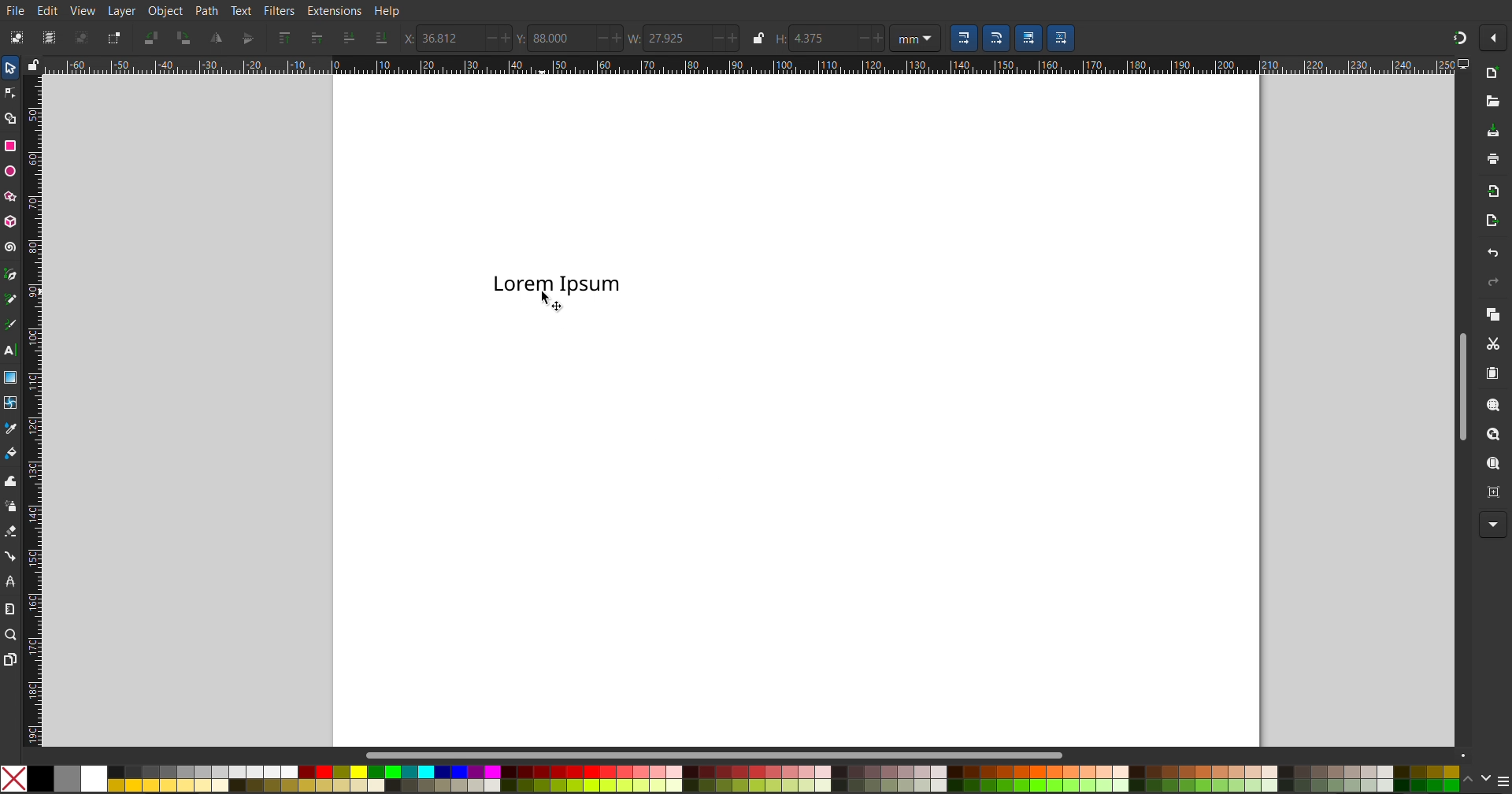 The height and width of the screenshot is (794, 1512). What do you see at coordinates (13, 118) in the screenshot?
I see `Shape Builder Tool` at bounding box center [13, 118].